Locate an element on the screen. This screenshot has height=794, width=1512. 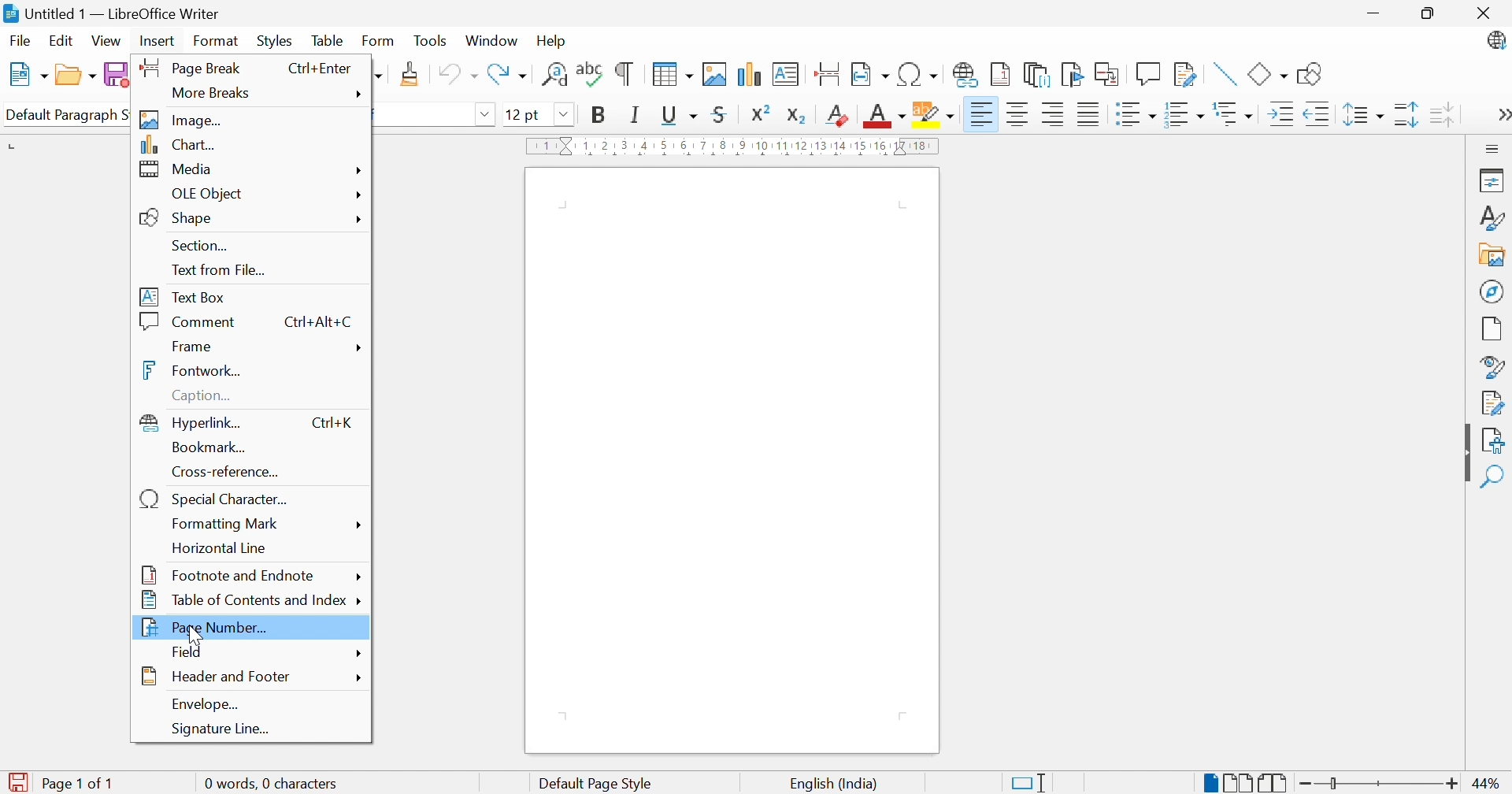
Basic shapes is located at coordinates (1267, 76).